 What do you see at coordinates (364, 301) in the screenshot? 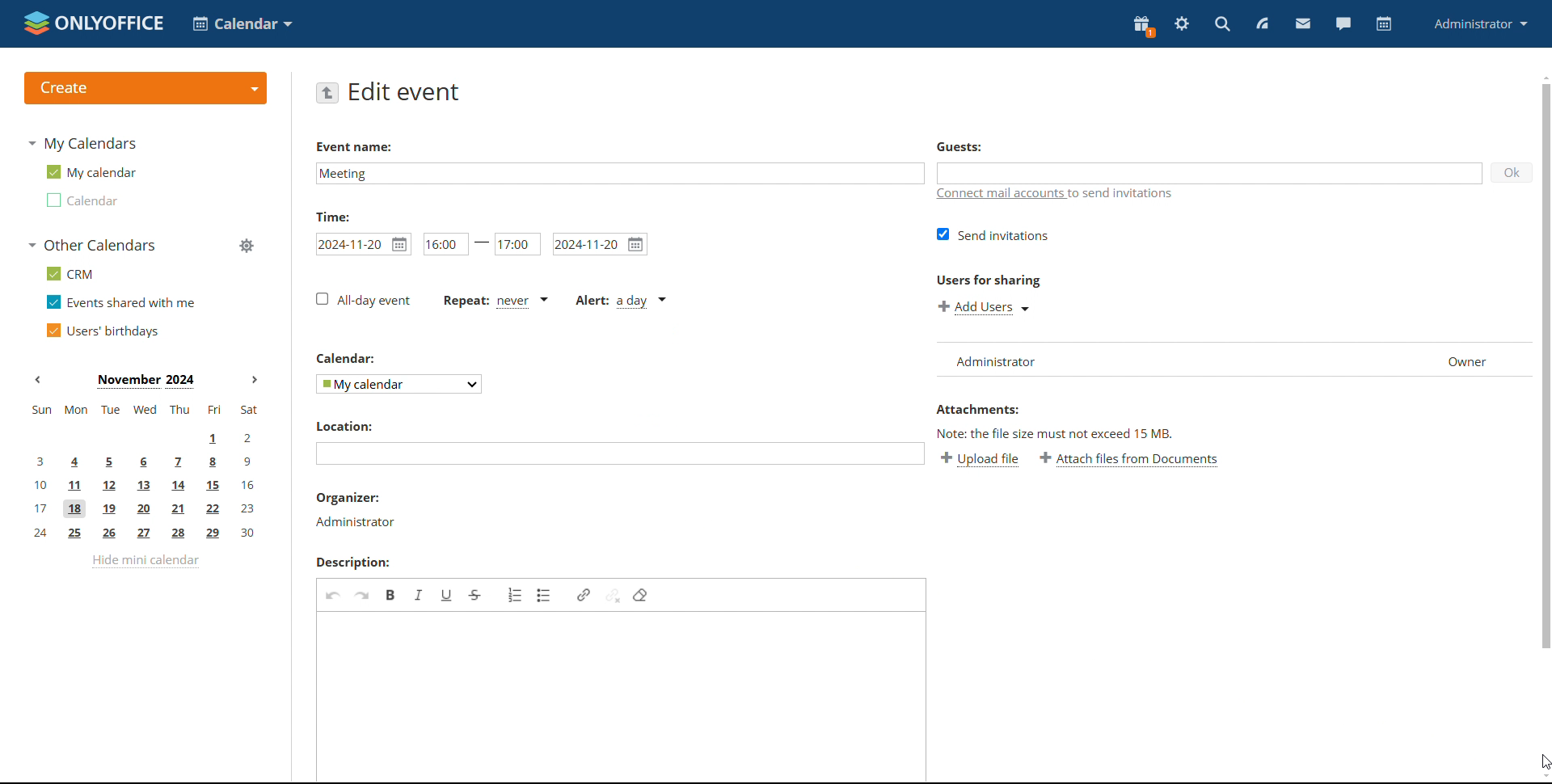
I see `all-day event checkbox` at bounding box center [364, 301].